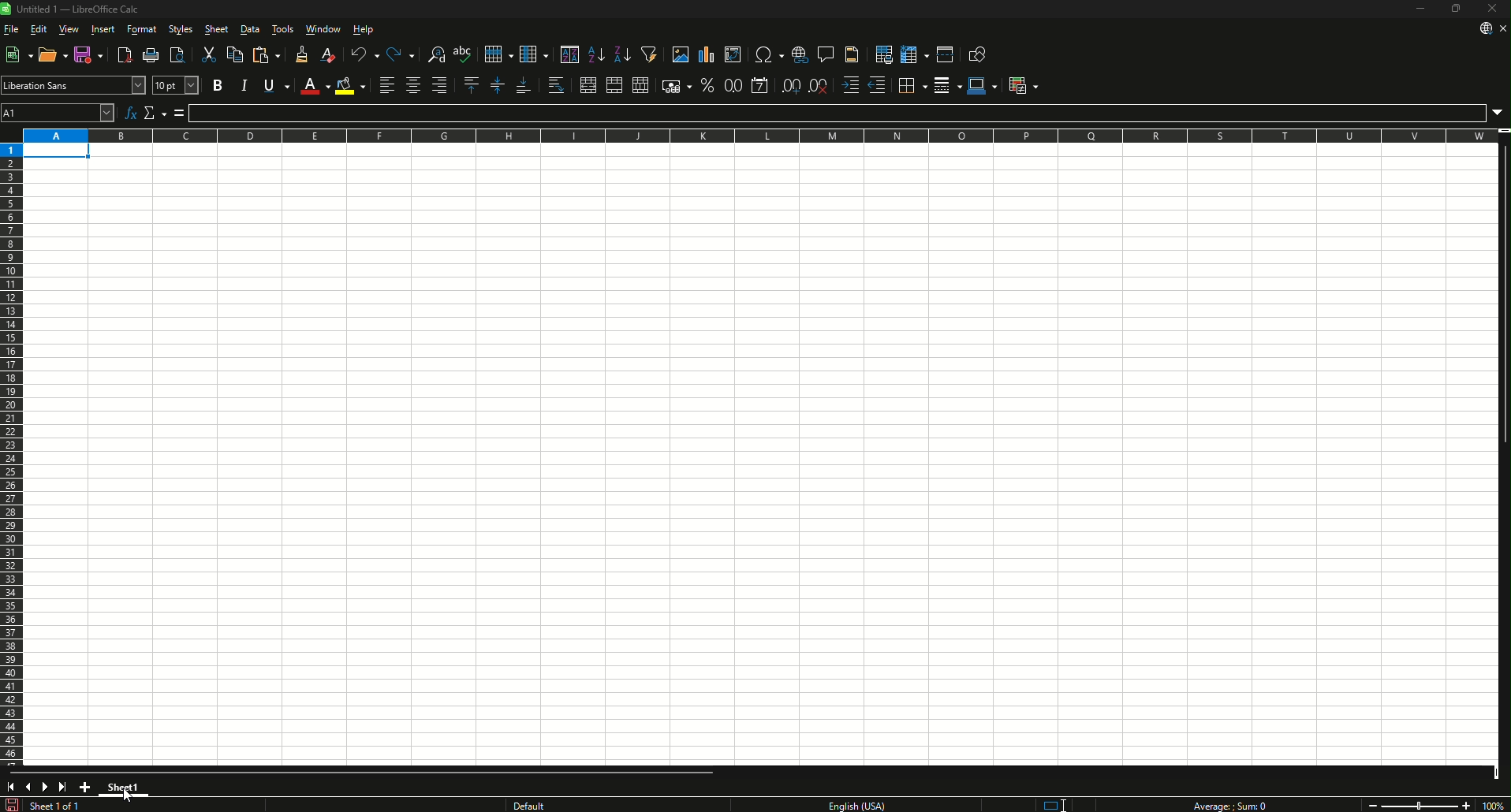 The image size is (1511, 812). Describe the element at coordinates (855, 805) in the screenshot. I see `Text` at that location.